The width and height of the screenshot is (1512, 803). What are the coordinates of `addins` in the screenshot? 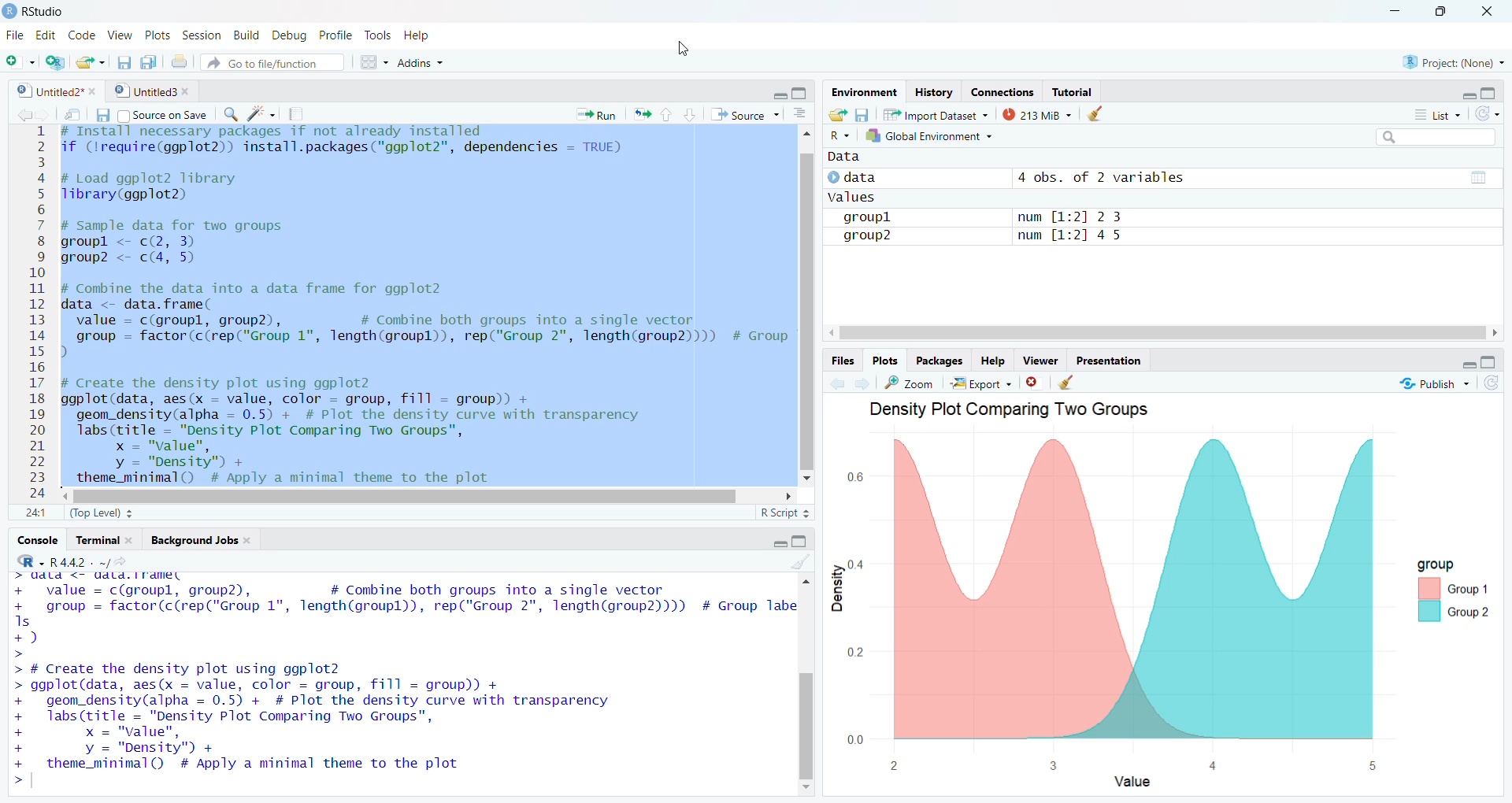 It's located at (428, 65).